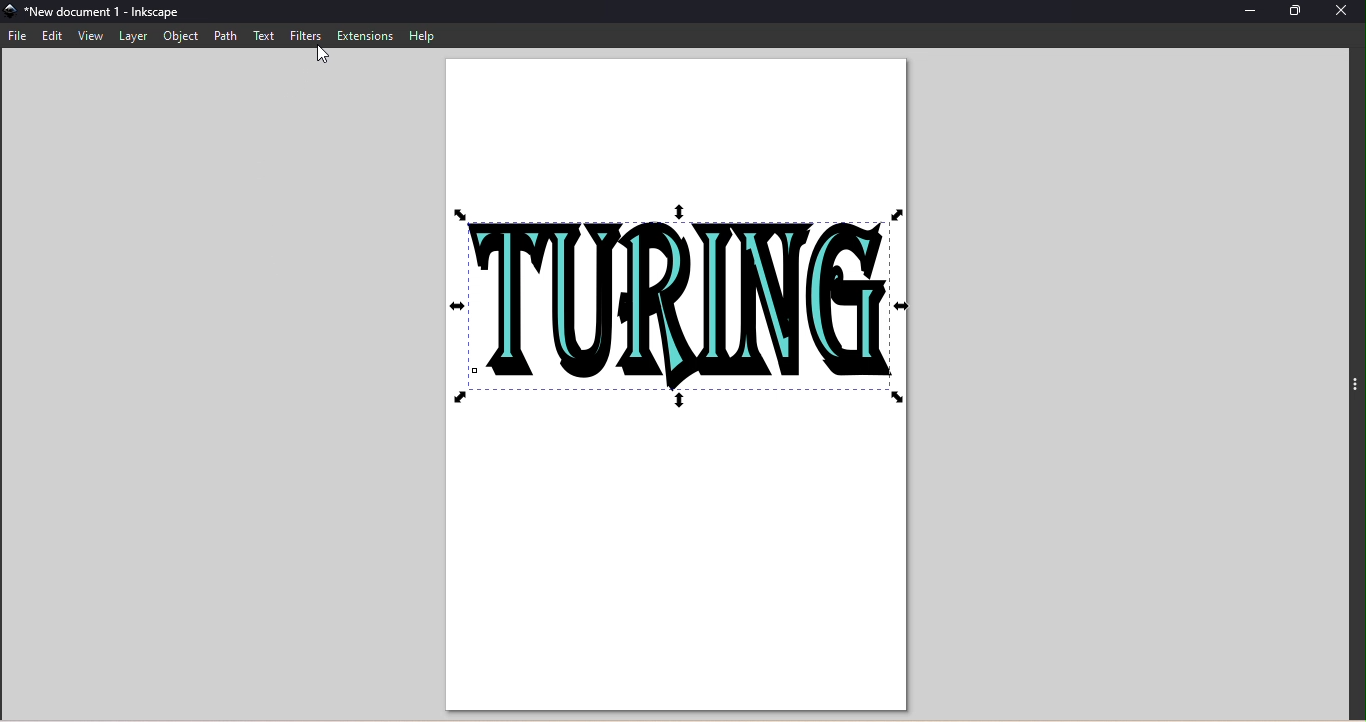  Describe the element at coordinates (224, 37) in the screenshot. I see `Path` at that location.